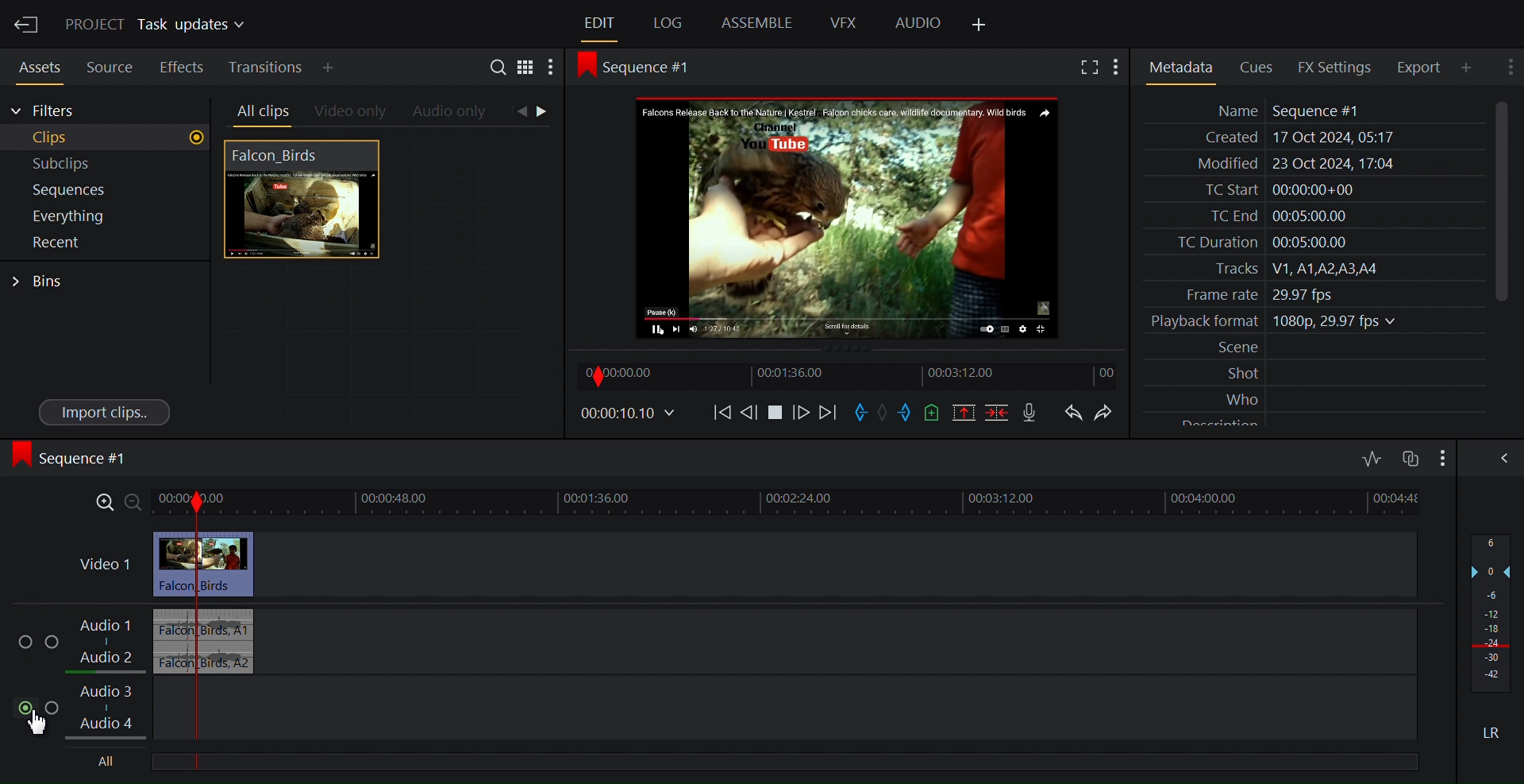  Describe the element at coordinates (1310, 138) in the screenshot. I see `Created` at that location.